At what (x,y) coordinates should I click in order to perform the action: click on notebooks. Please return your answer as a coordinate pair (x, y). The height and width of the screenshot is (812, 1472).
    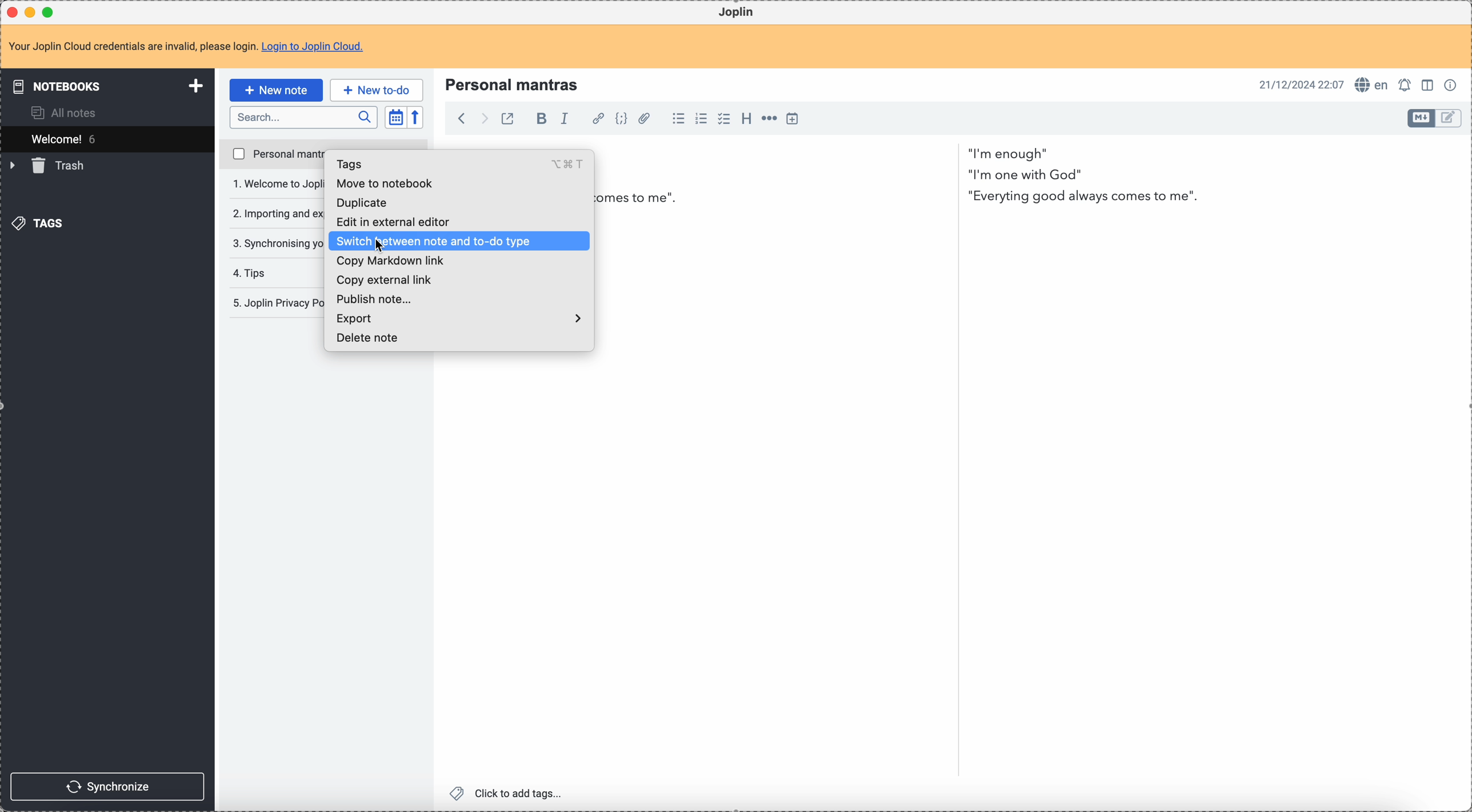
    Looking at the image, I should click on (107, 85).